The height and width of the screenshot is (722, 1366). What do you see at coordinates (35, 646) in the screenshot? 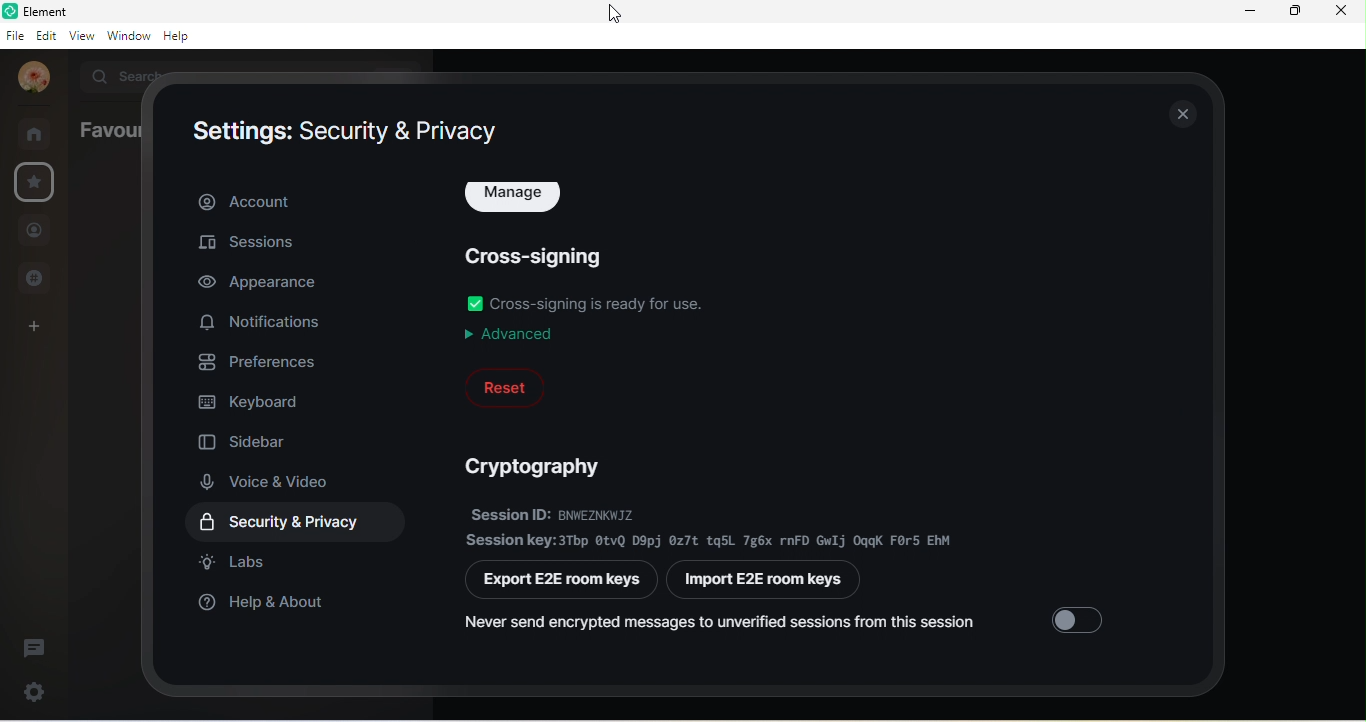
I see `threads` at bounding box center [35, 646].